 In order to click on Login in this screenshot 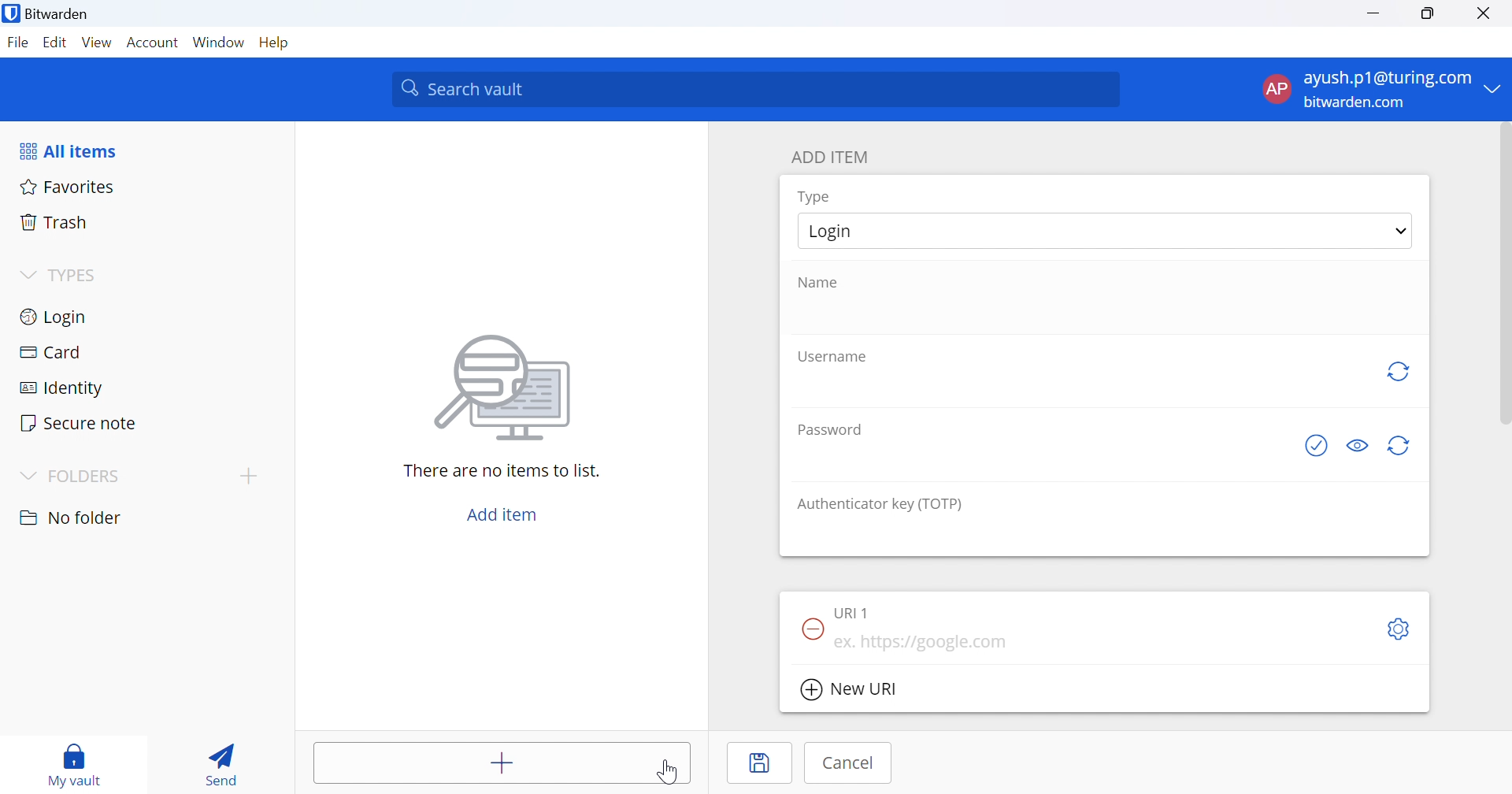, I will do `click(56, 315)`.